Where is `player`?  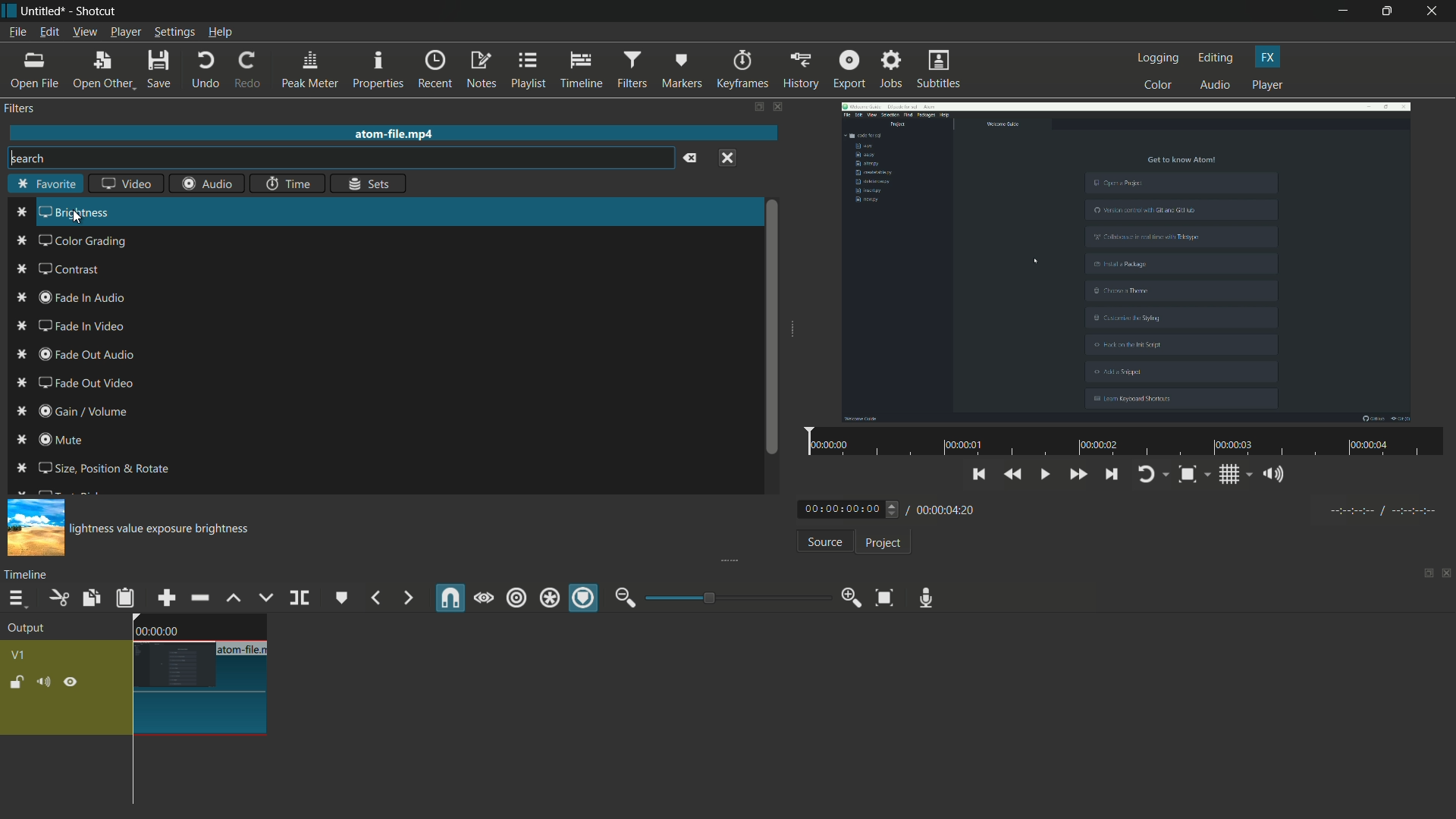
player is located at coordinates (1267, 86).